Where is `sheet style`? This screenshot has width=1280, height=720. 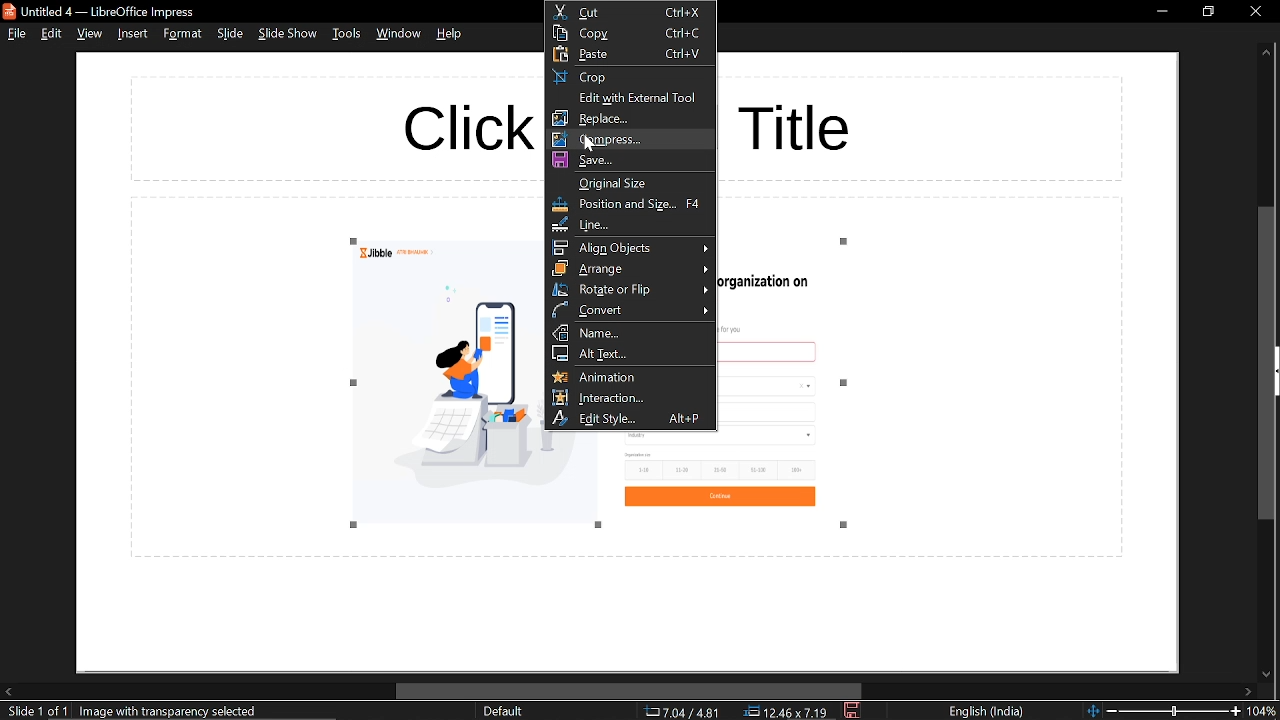
sheet style is located at coordinates (502, 712).